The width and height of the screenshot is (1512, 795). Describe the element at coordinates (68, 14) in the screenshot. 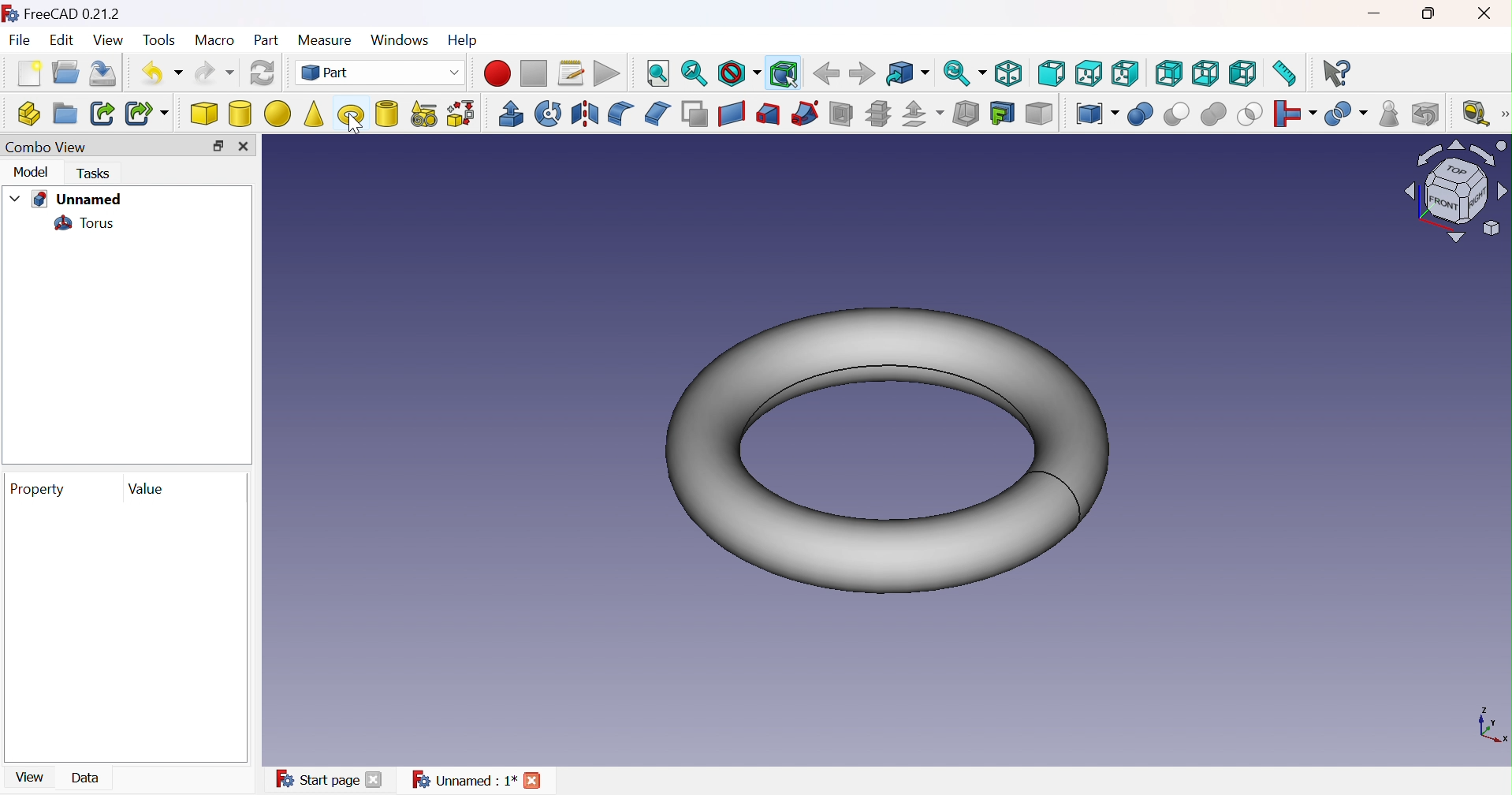

I see `FreeCAD 0.21.2` at that location.